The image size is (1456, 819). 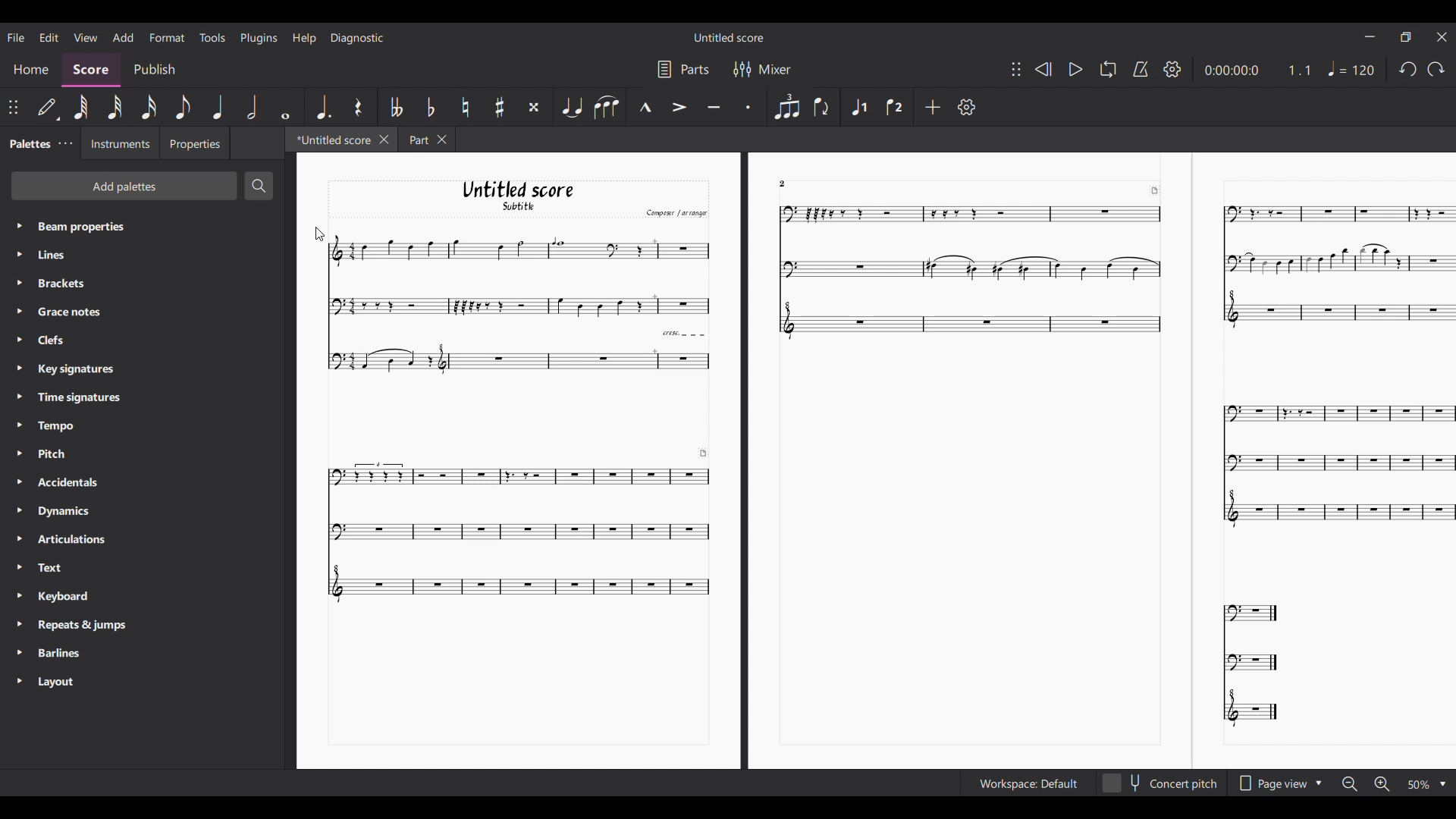 What do you see at coordinates (322, 107) in the screenshot?
I see `Augmentation dot` at bounding box center [322, 107].